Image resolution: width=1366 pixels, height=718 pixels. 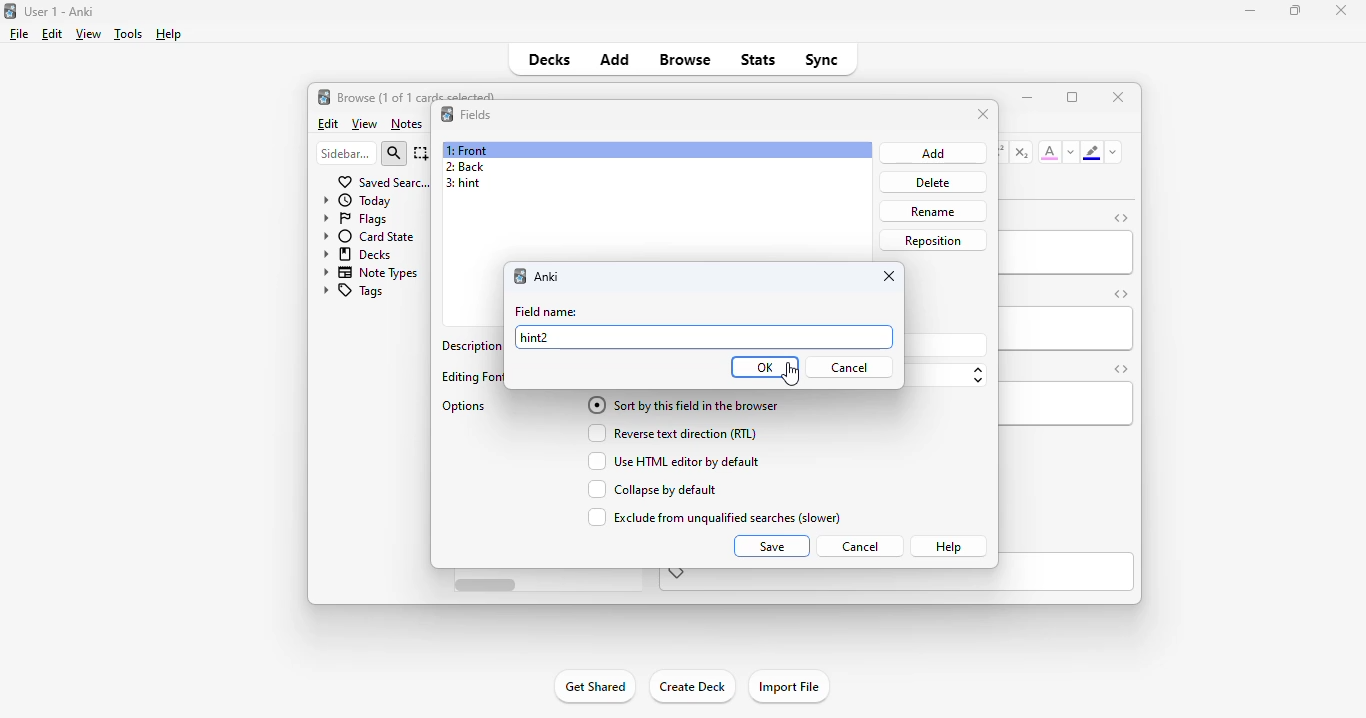 What do you see at coordinates (1120, 369) in the screenshot?
I see `toggle HTML editor` at bounding box center [1120, 369].